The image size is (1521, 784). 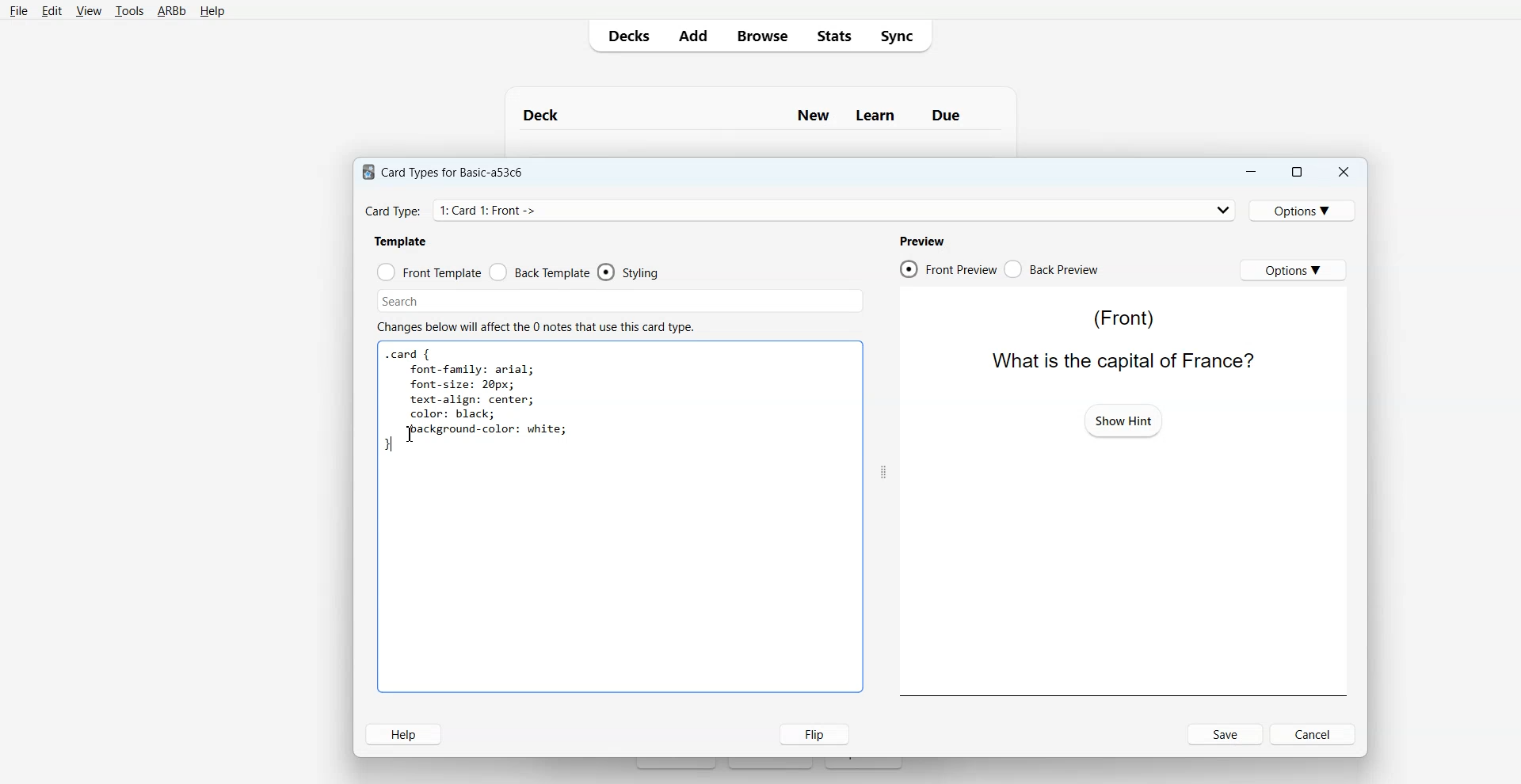 What do you see at coordinates (1249, 172) in the screenshot?
I see `Minimize` at bounding box center [1249, 172].